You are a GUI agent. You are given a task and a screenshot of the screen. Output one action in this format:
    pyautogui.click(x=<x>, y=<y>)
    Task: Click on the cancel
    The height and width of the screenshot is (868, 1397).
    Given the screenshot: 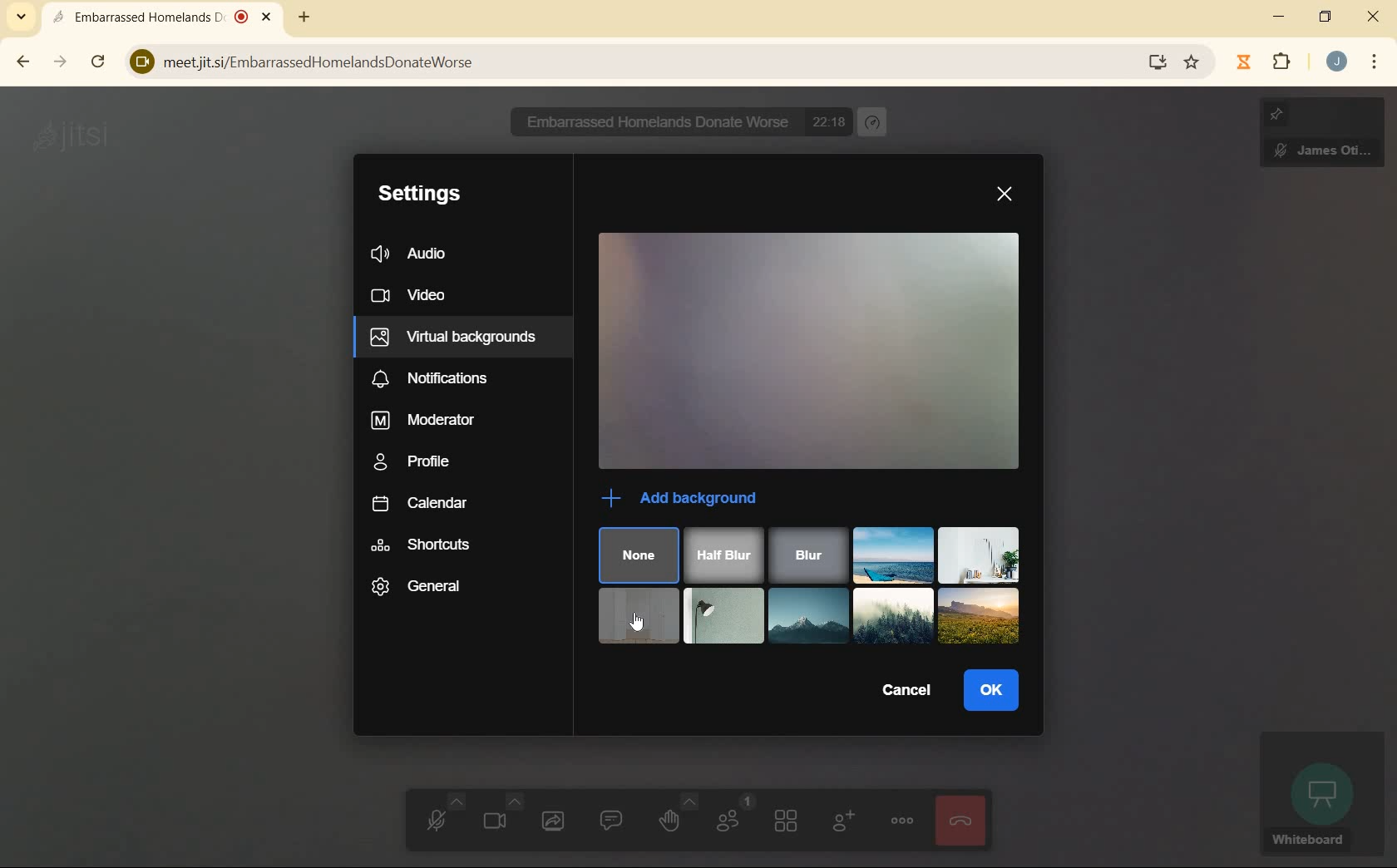 What is the action you would take?
    pyautogui.click(x=902, y=692)
    